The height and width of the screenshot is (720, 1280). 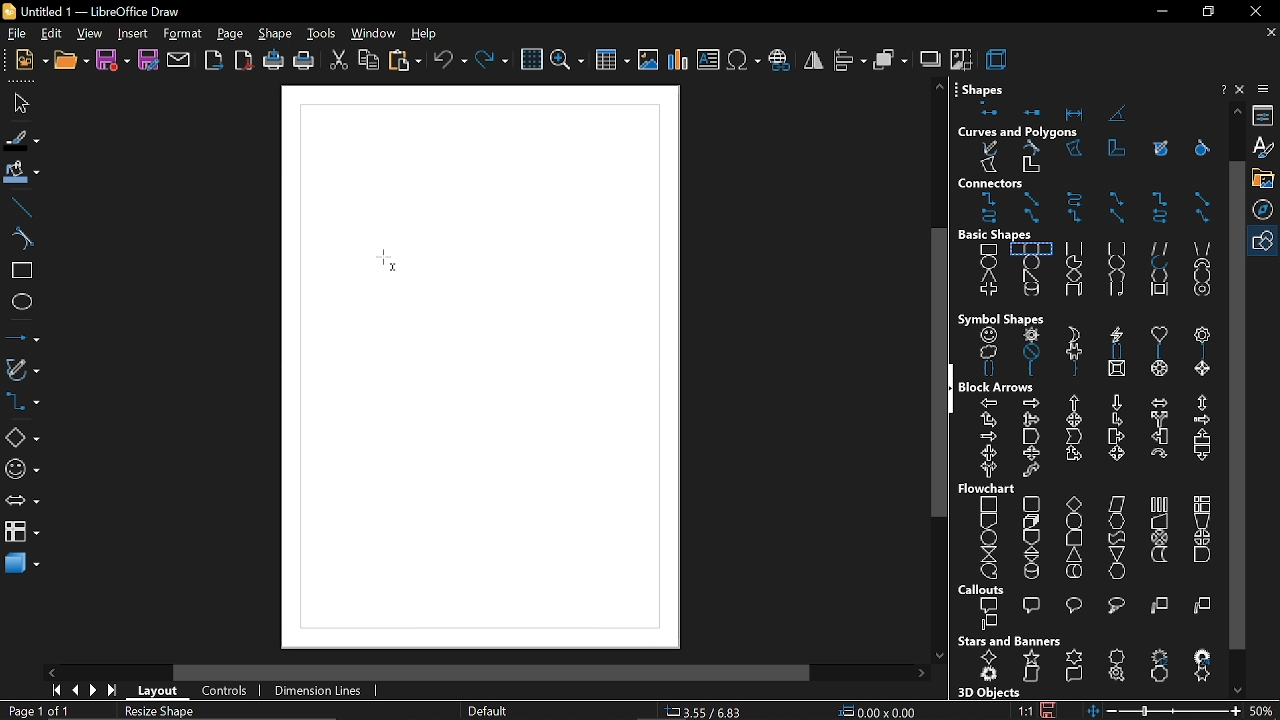 I want to click on shapes, so click(x=987, y=86).